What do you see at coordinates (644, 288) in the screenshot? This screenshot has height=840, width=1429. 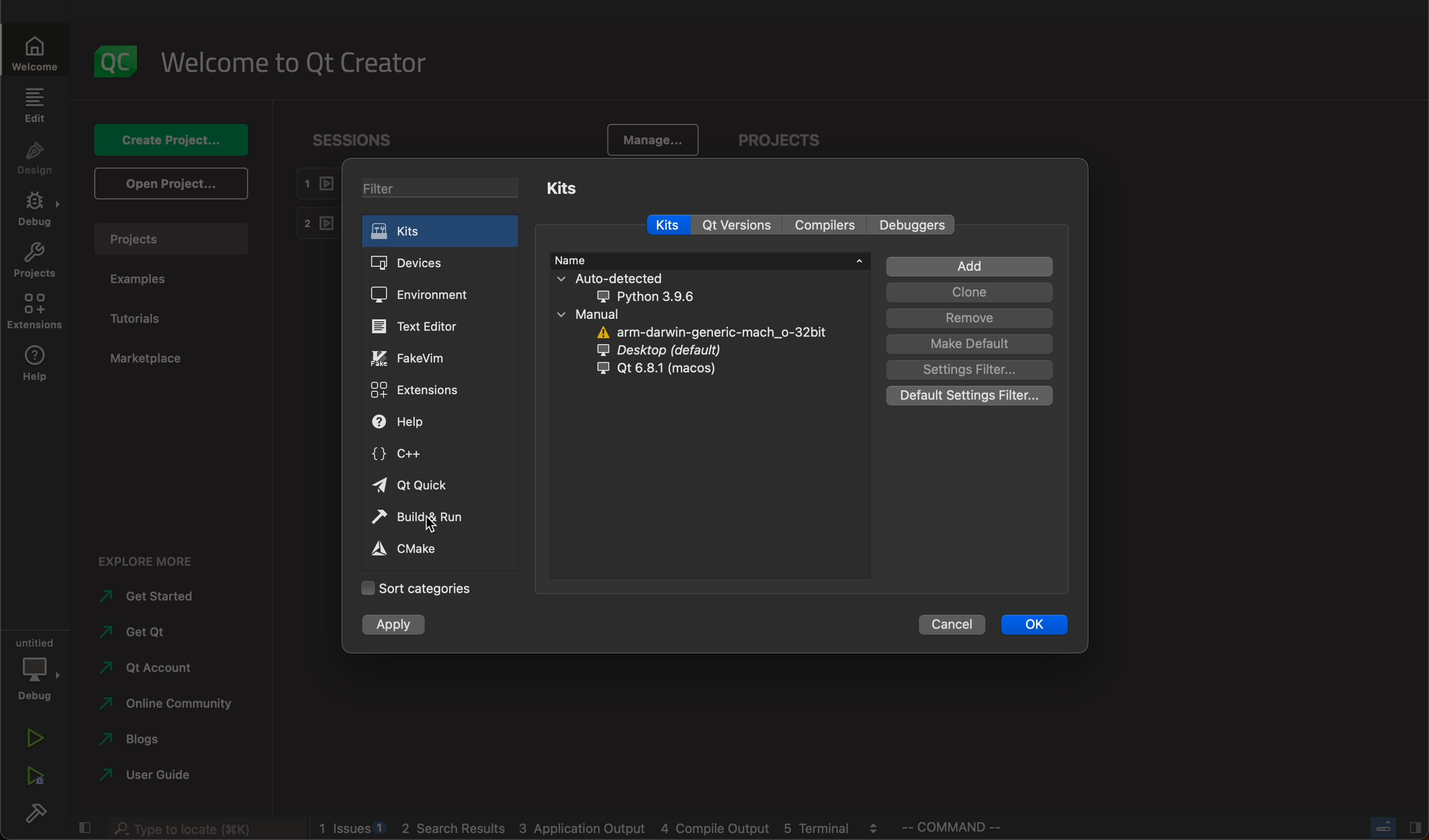 I see `auto detected` at bounding box center [644, 288].